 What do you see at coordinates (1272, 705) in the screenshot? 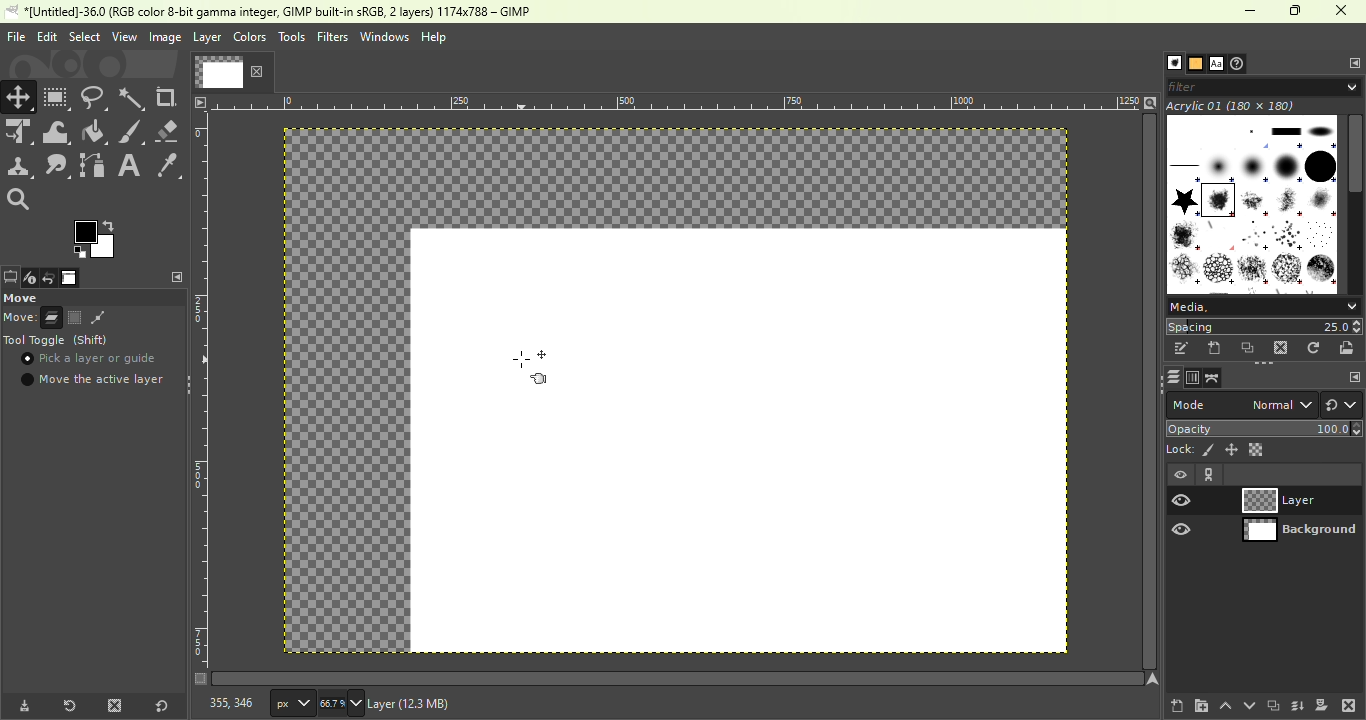
I see `Create a duplicate of the layer and add it to the image` at bounding box center [1272, 705].